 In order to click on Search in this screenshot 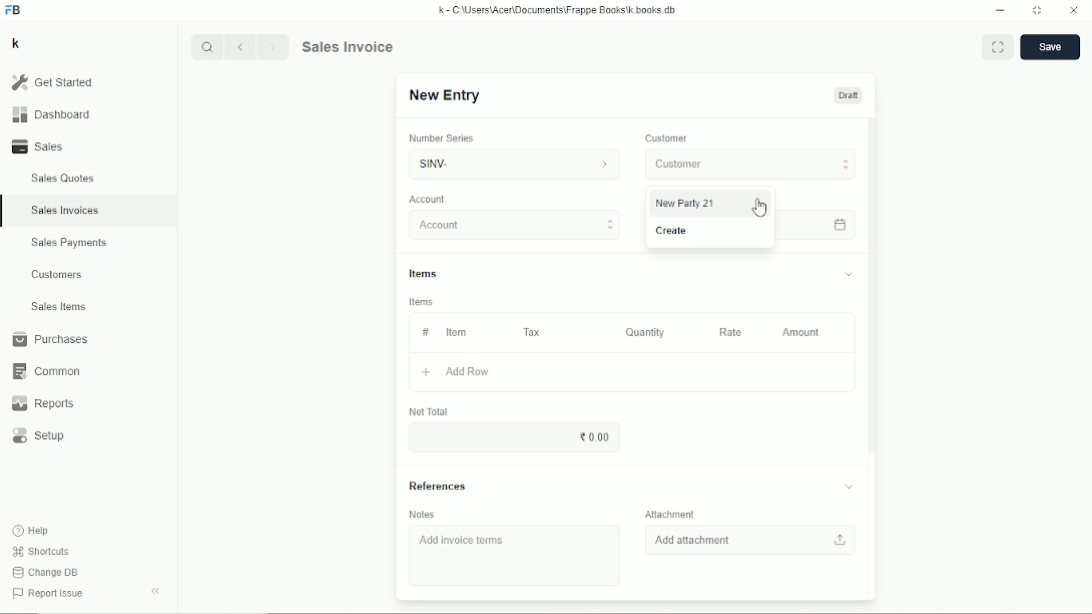, I will do `click(208, 47)`.